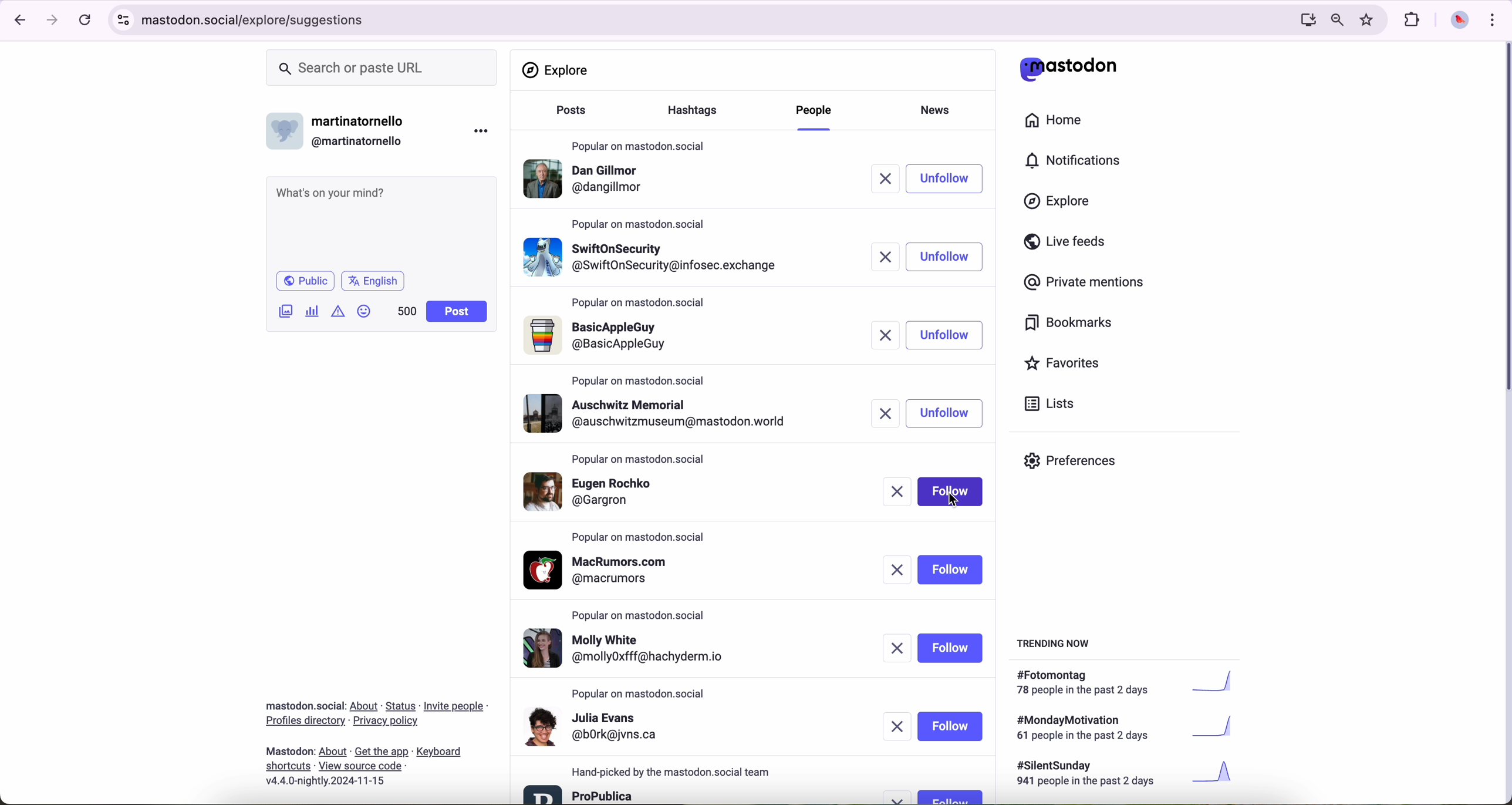  Describe the element at coordinates (1128, 775) in the screenshot. I see `#silentsunday` at that location.